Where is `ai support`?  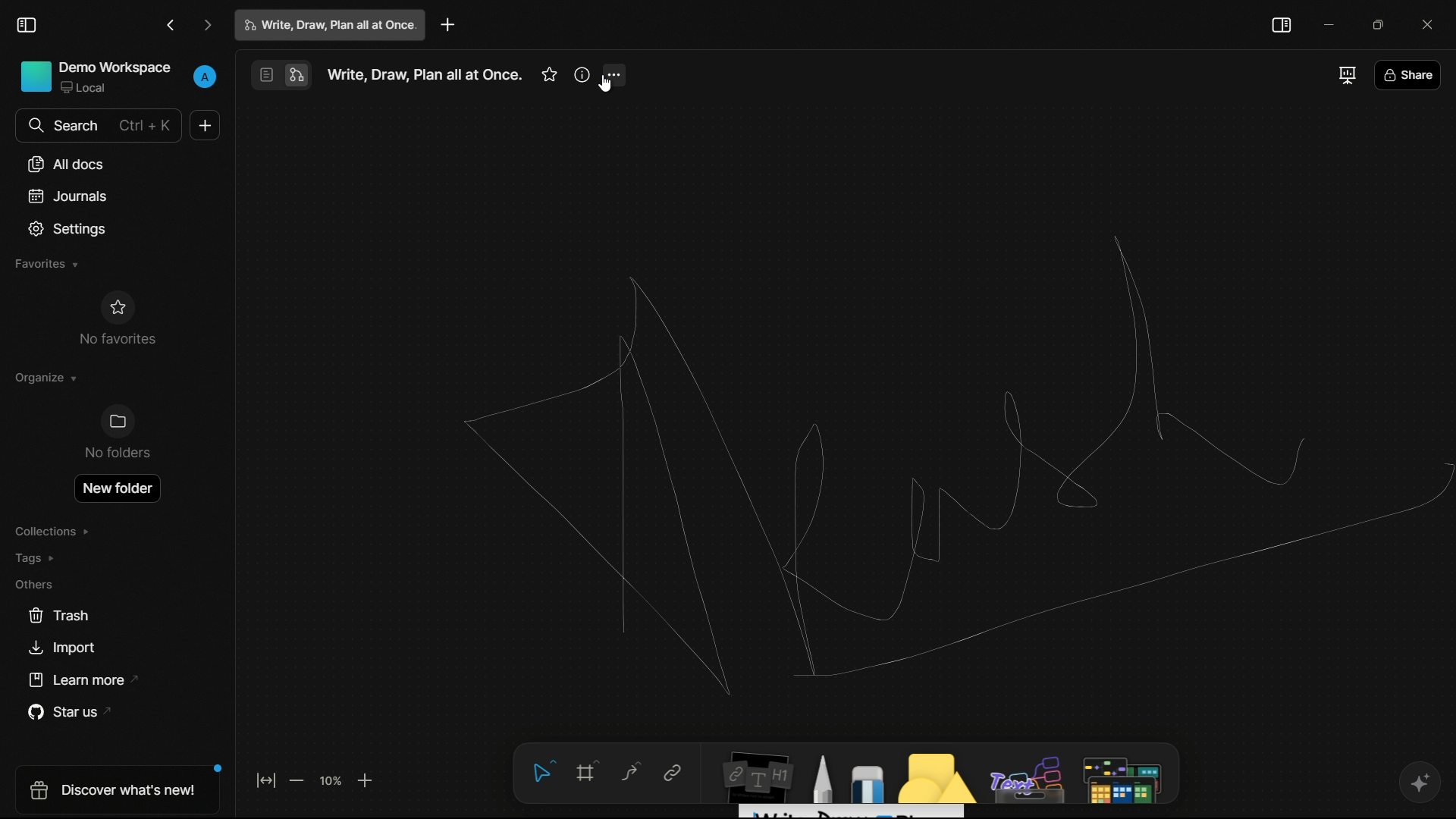
ai support is located at coordinates (1419, 784).